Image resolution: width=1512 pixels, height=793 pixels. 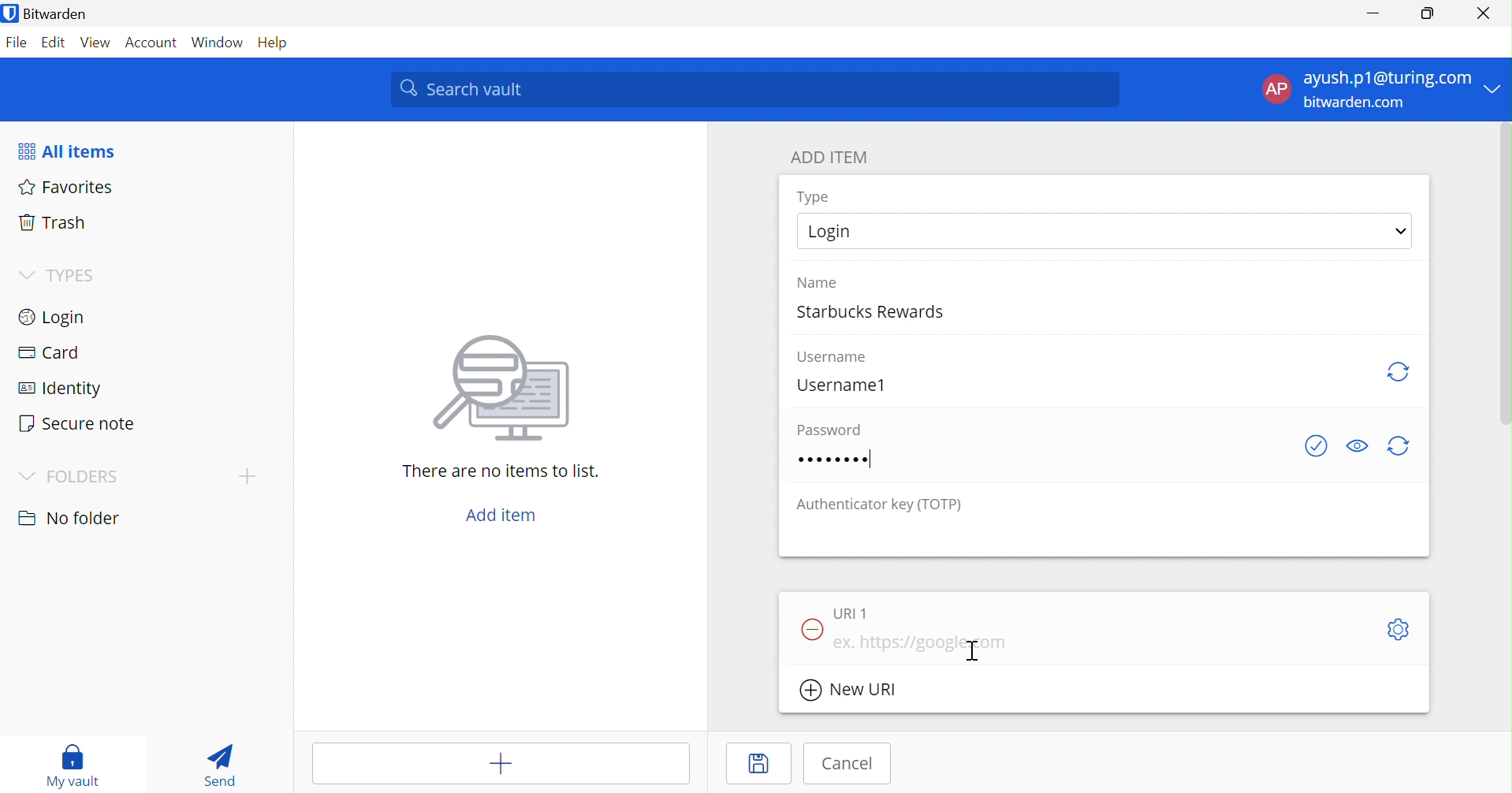 I want to click on All items, so click(x=65, y=152).